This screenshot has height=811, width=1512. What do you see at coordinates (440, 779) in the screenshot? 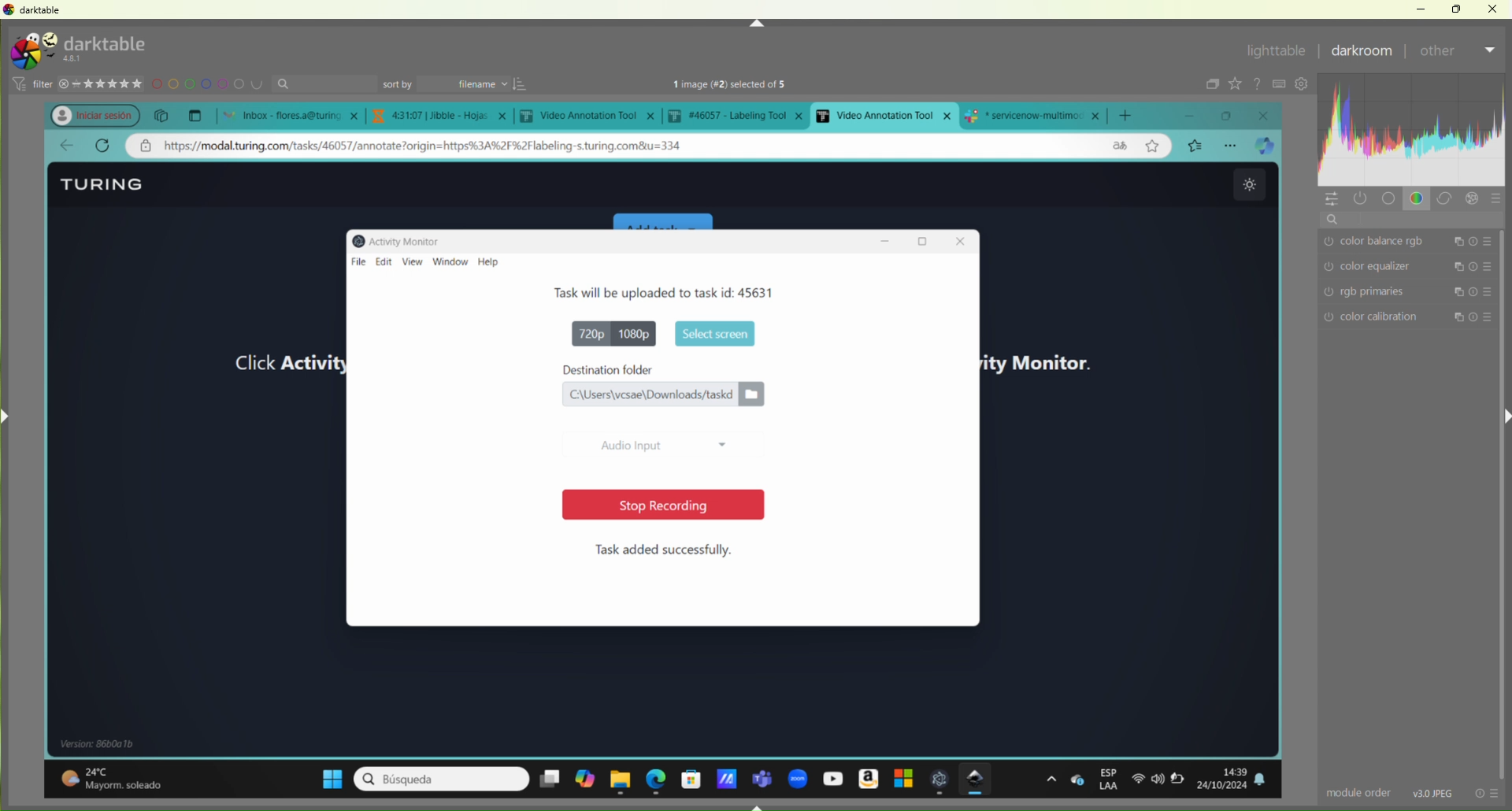
I see `search` at bounding box center [440, 779].